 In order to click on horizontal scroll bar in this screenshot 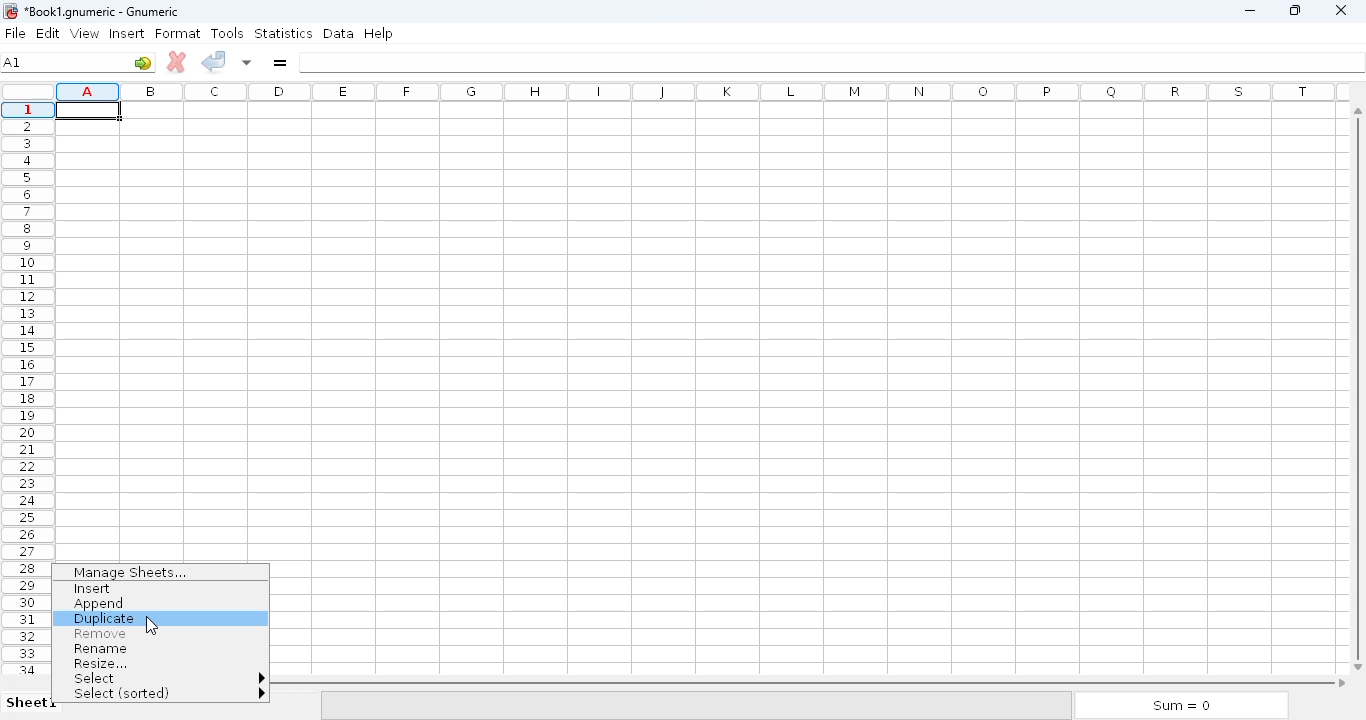, I will do `click(809, 681)`.